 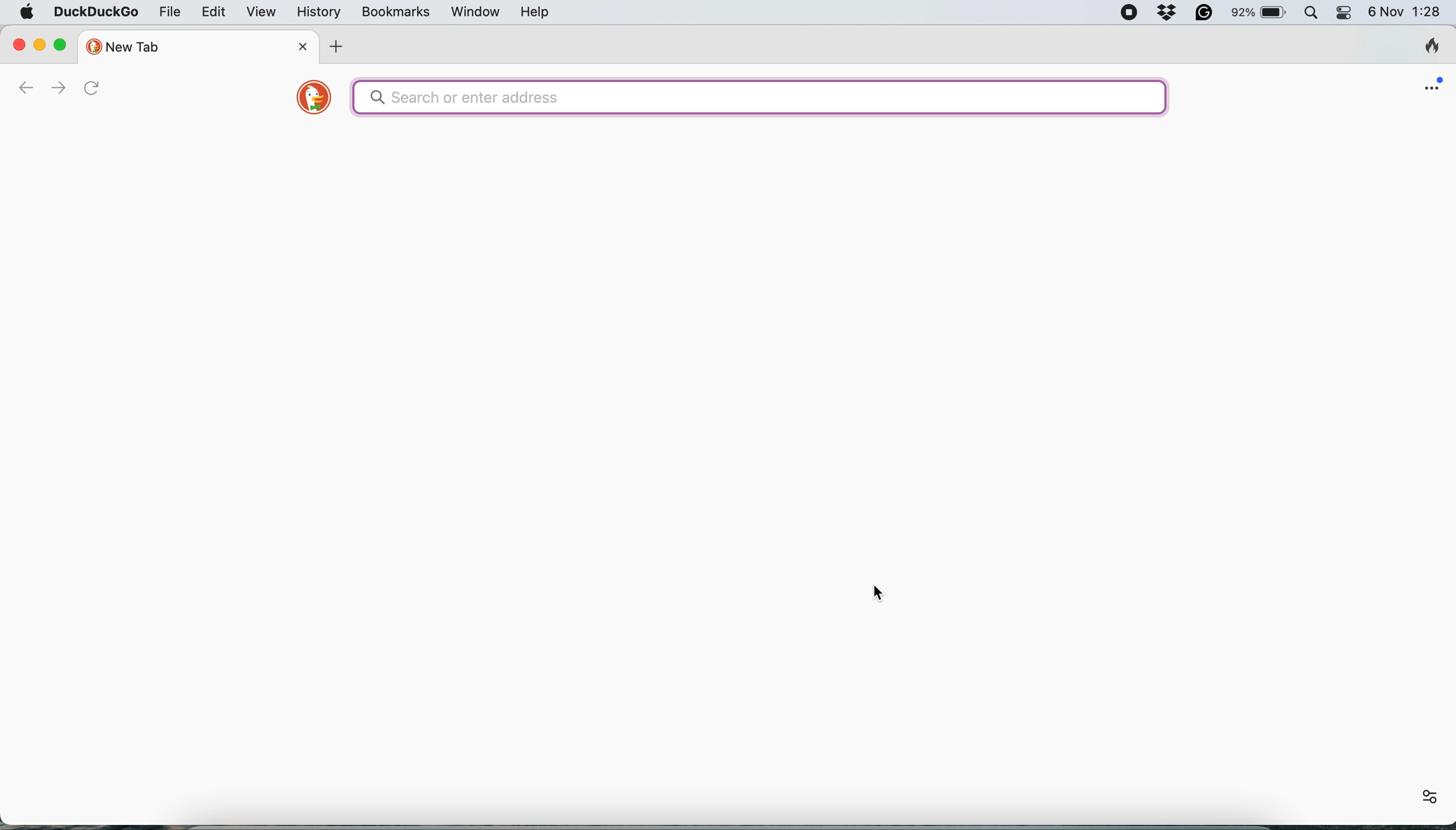 I want to click on screen recorder, so click(x=1127, y=13).